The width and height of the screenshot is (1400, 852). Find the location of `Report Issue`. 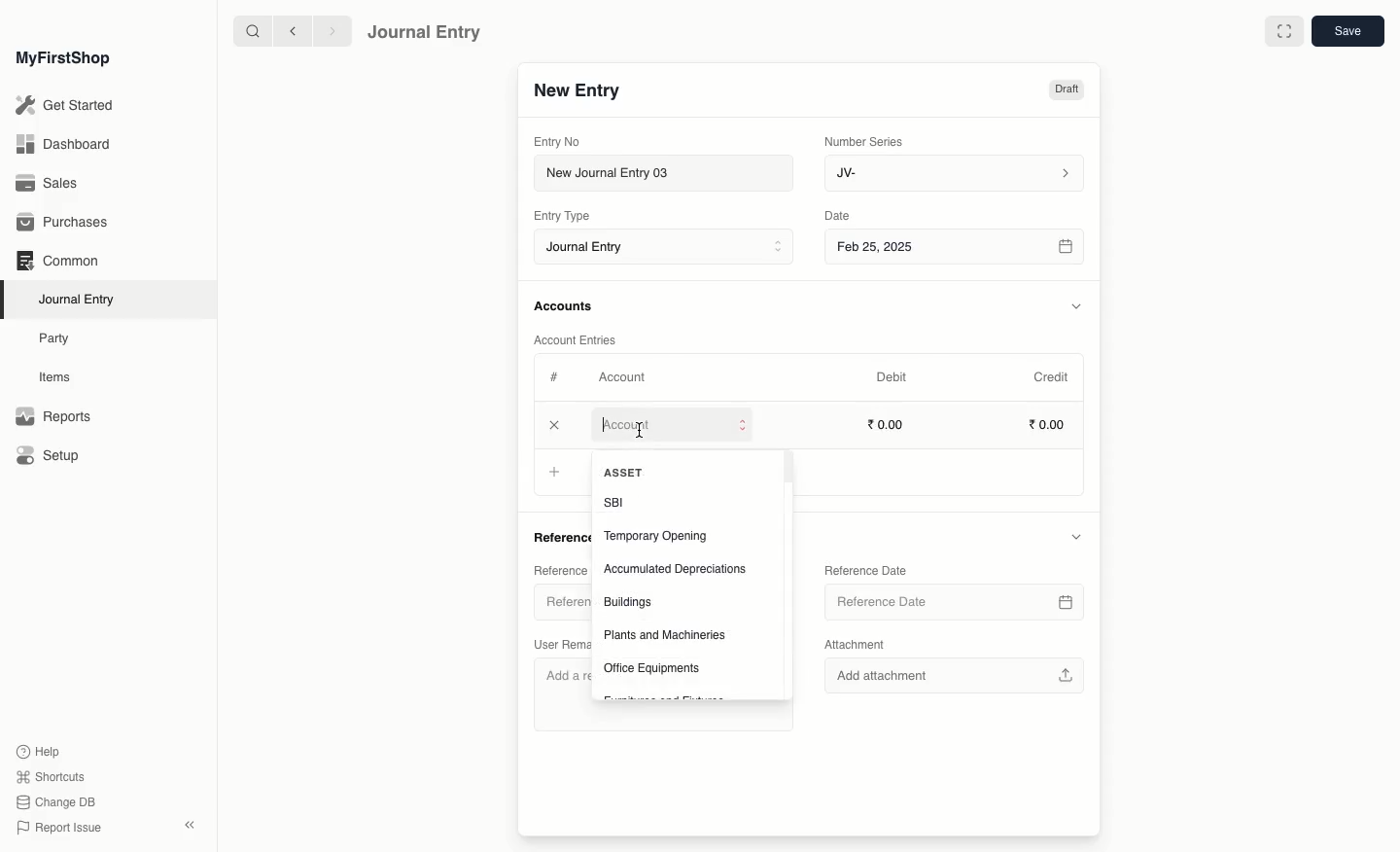

Report Issue is located at coordinates (57, 828).